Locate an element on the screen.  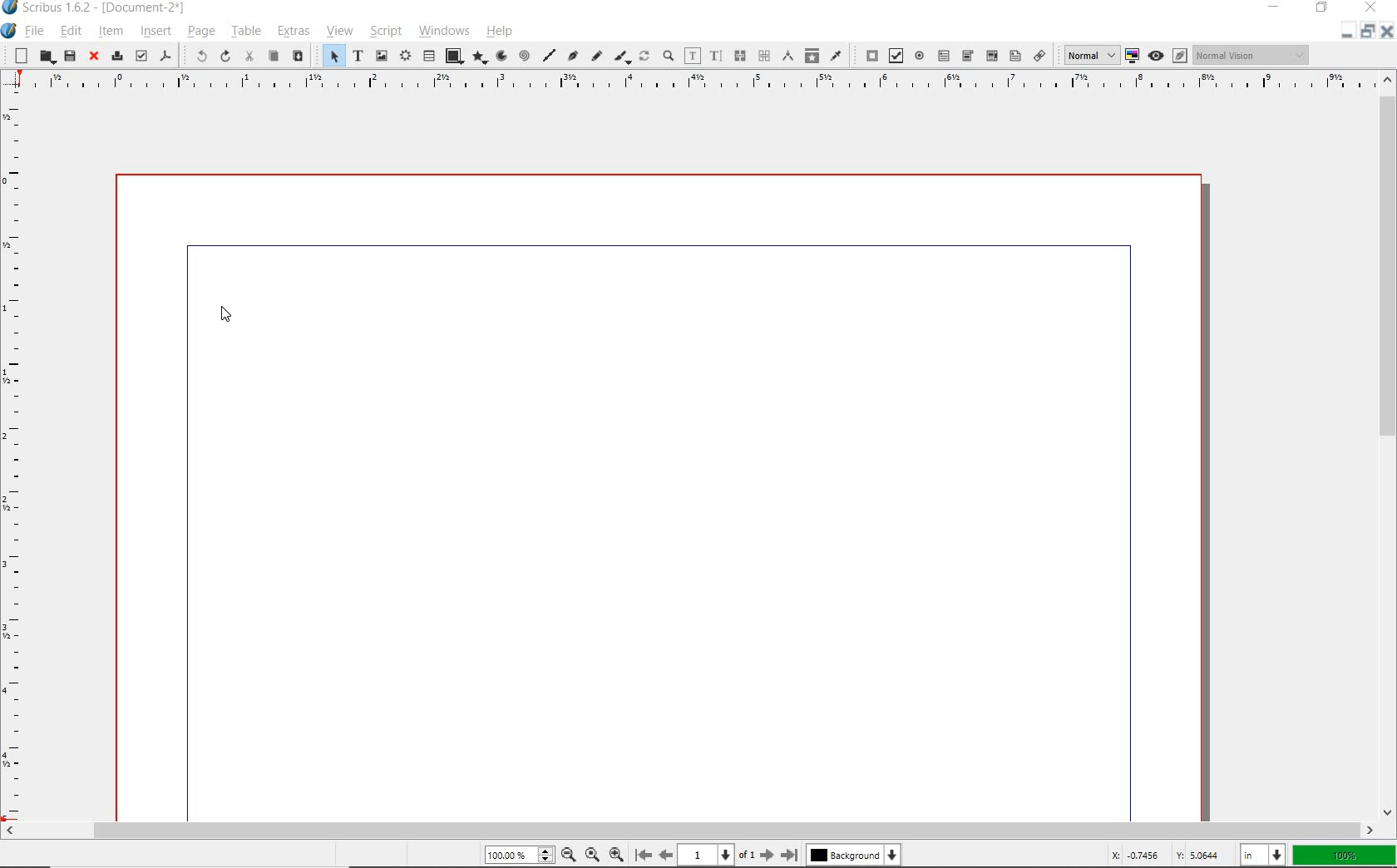
text frame is located at coordinates (358, 56).